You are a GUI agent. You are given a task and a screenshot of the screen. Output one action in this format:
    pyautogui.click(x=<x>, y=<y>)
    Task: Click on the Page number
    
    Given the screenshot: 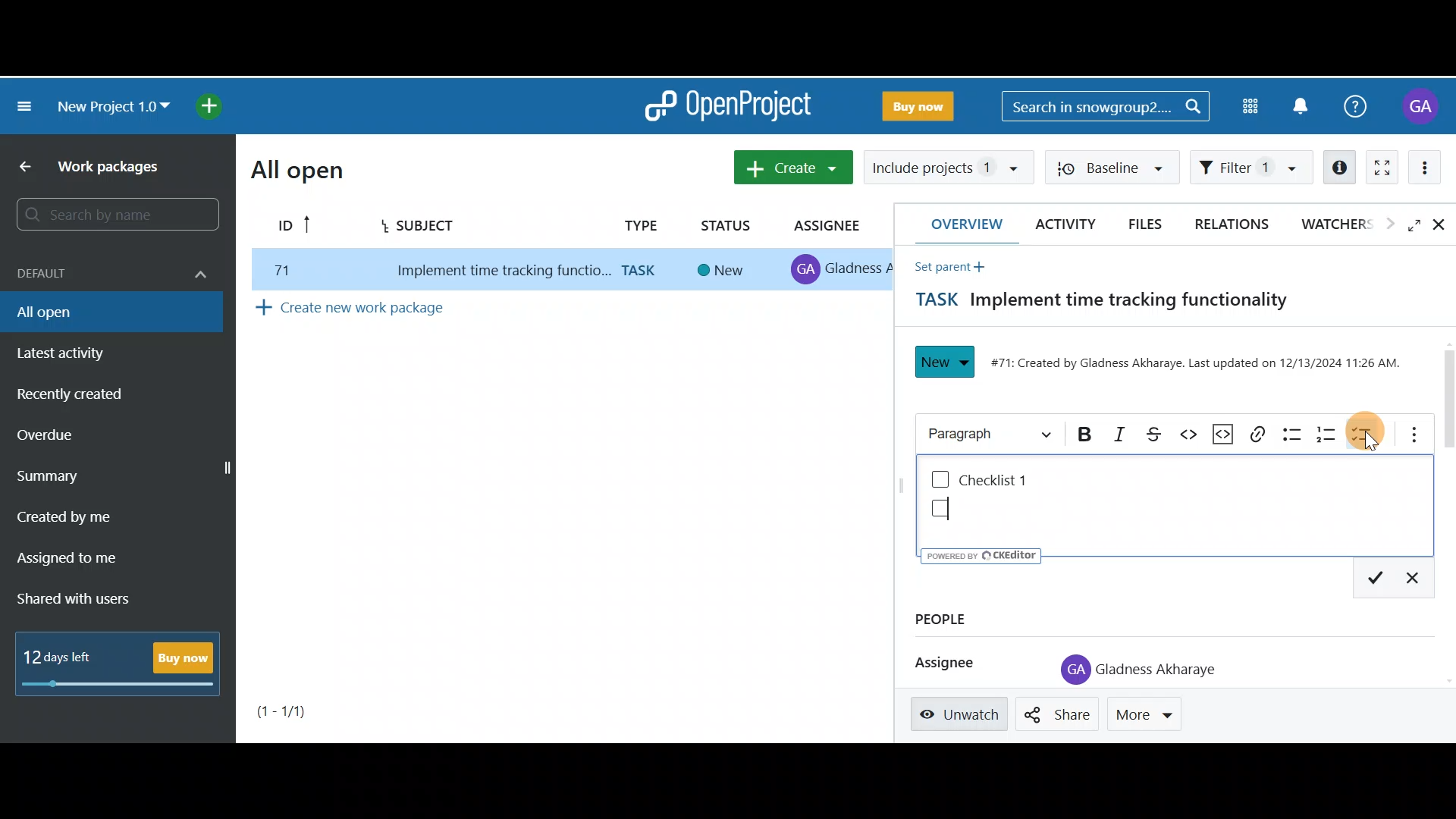 What is the action you would take?
    pyautogui.click(x=305, y=711)
    